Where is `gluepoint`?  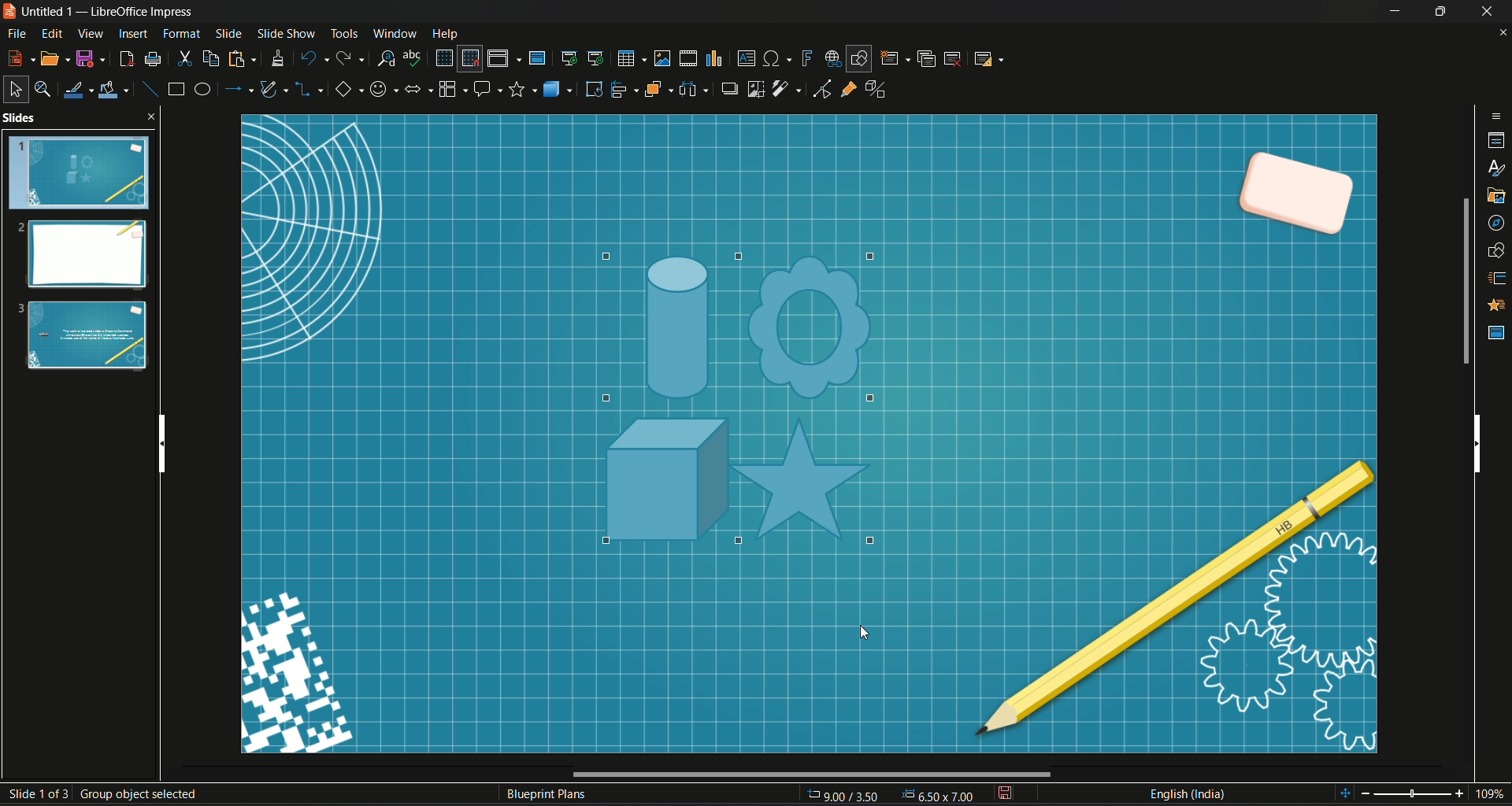 gluepoint is located at coordinates (848, 87).